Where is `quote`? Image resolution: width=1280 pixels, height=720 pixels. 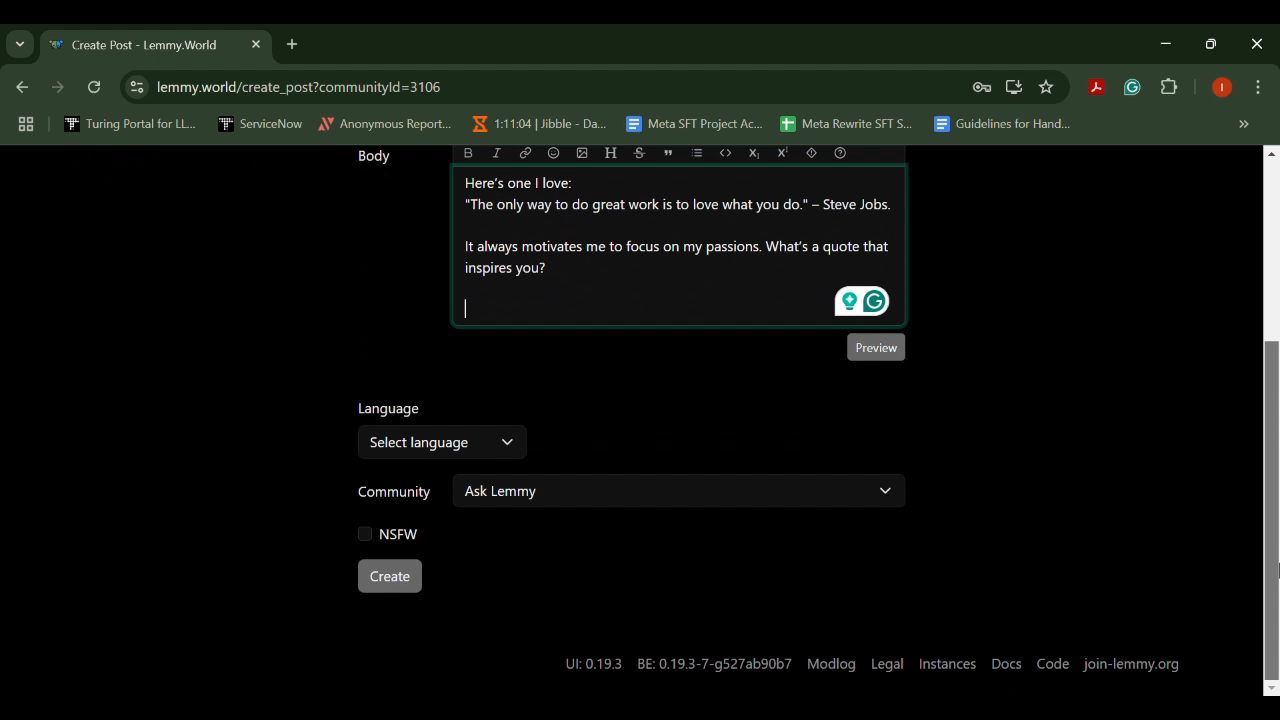
quote is located at coordinates (666, 152).